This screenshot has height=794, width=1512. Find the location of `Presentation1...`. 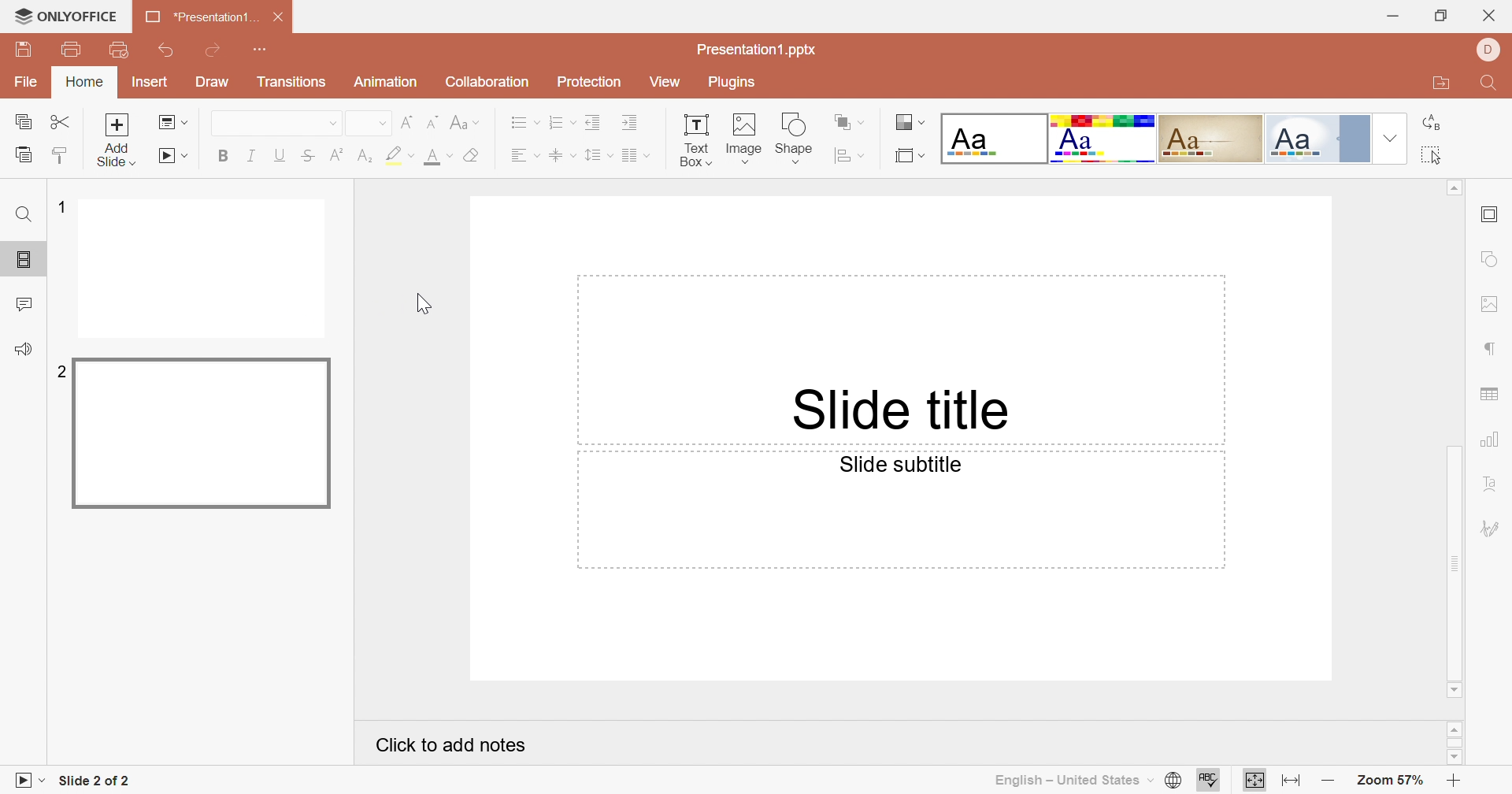

Presentation1... is located at coordinates (201, 17).